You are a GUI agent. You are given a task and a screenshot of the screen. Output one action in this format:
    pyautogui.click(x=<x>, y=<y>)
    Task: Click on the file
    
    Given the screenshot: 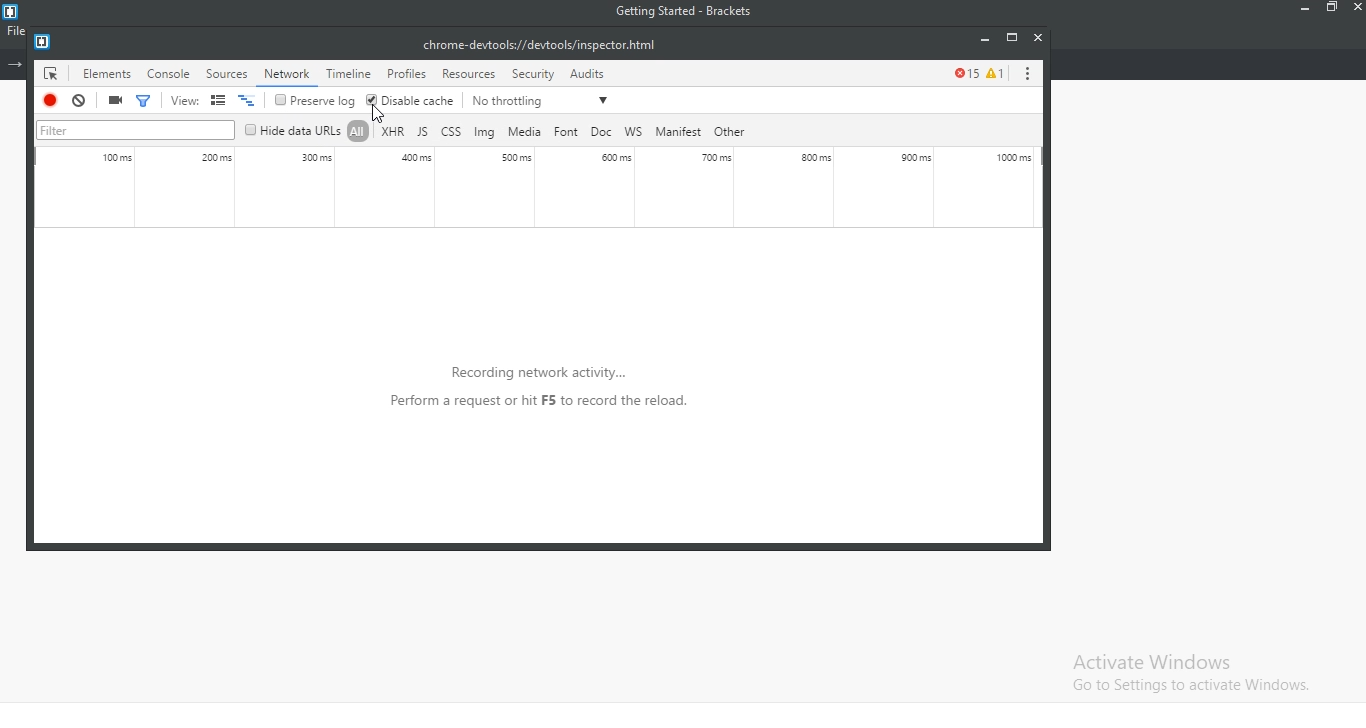 What is the action you would take?
    pyautogui.click(x=14, y=30)
    